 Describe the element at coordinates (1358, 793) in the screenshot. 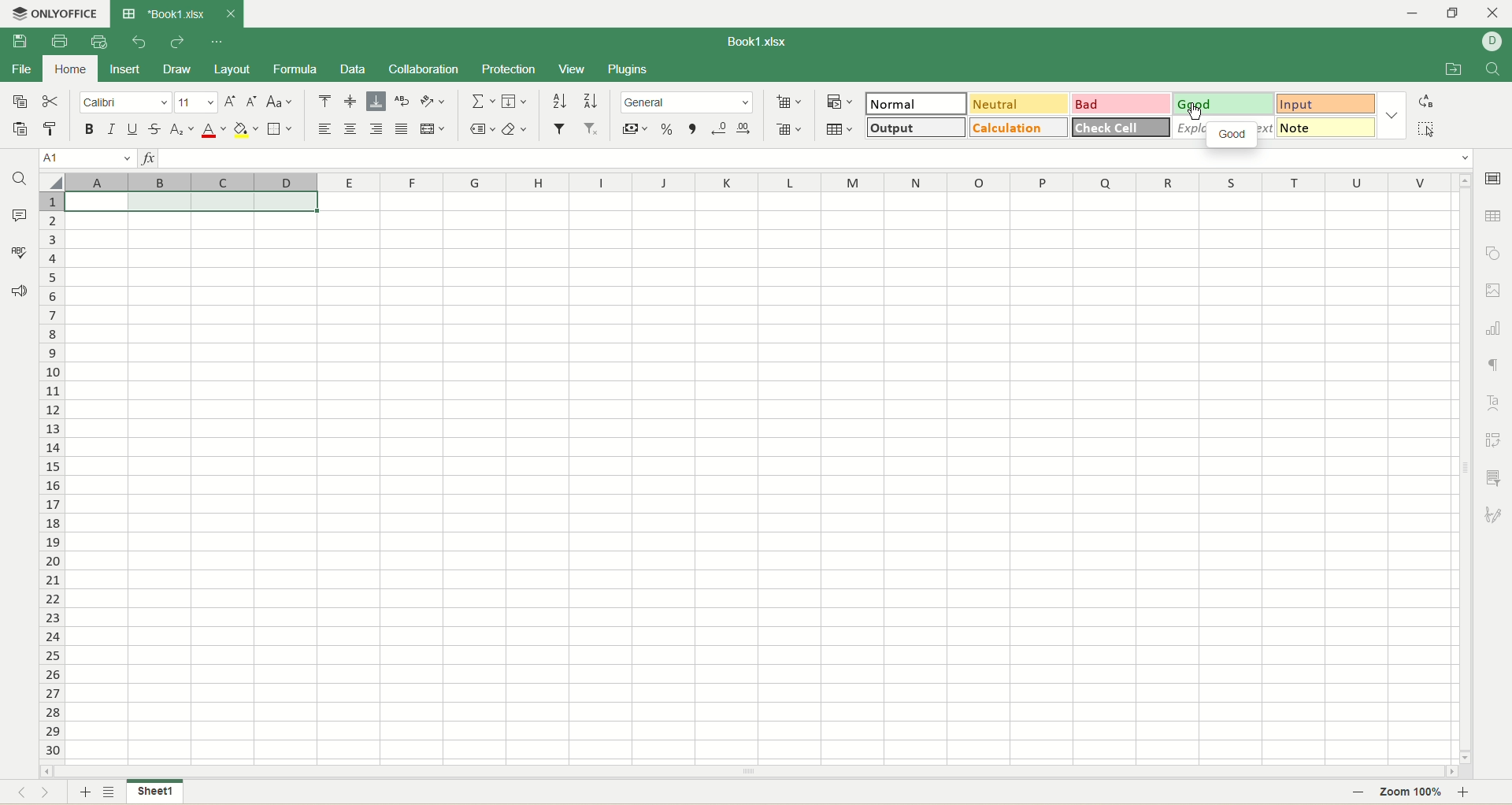

I see `zoom out` at that location.